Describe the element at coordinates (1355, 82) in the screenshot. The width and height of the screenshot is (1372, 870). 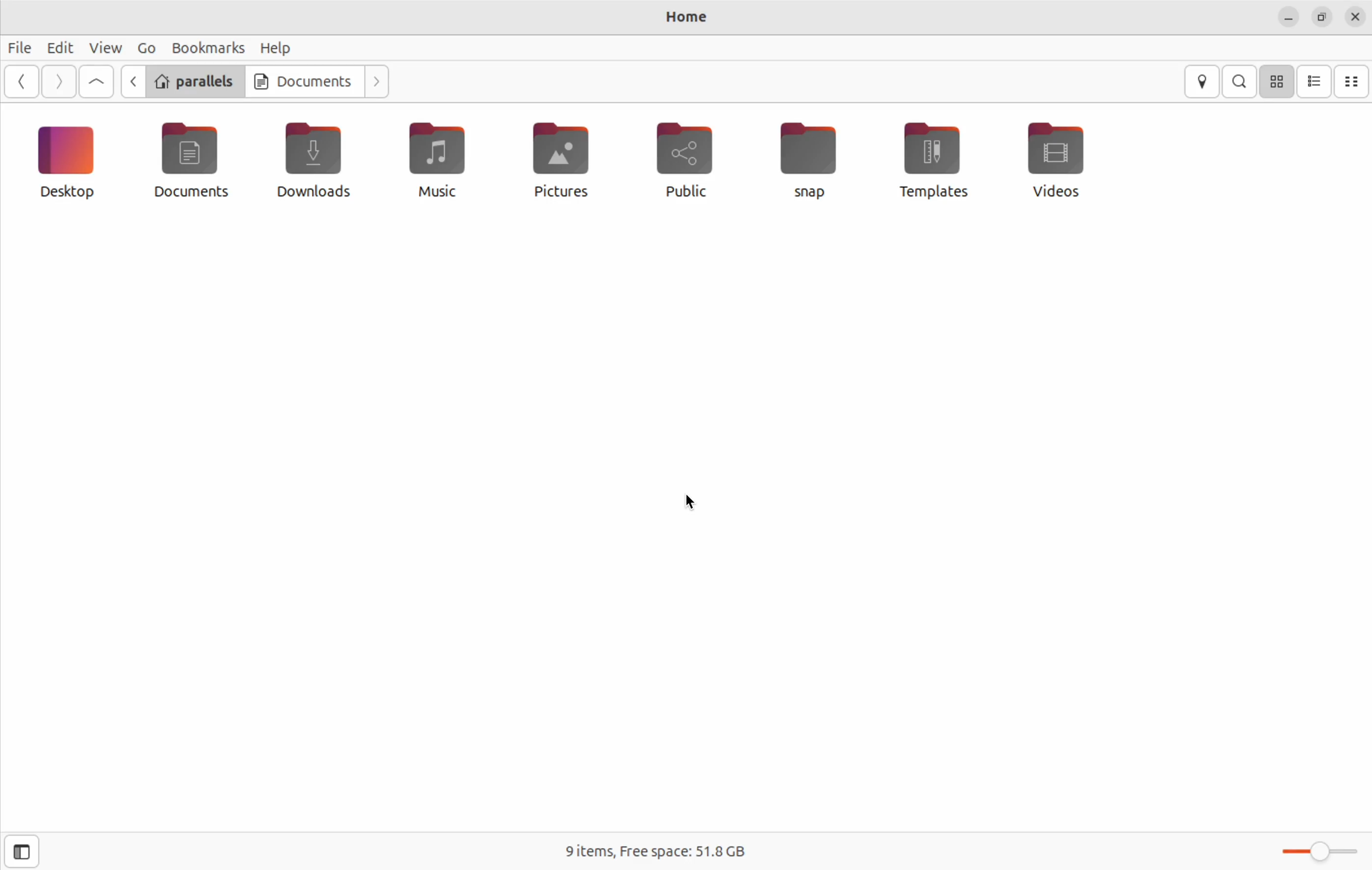
I see `compact view` at that location.